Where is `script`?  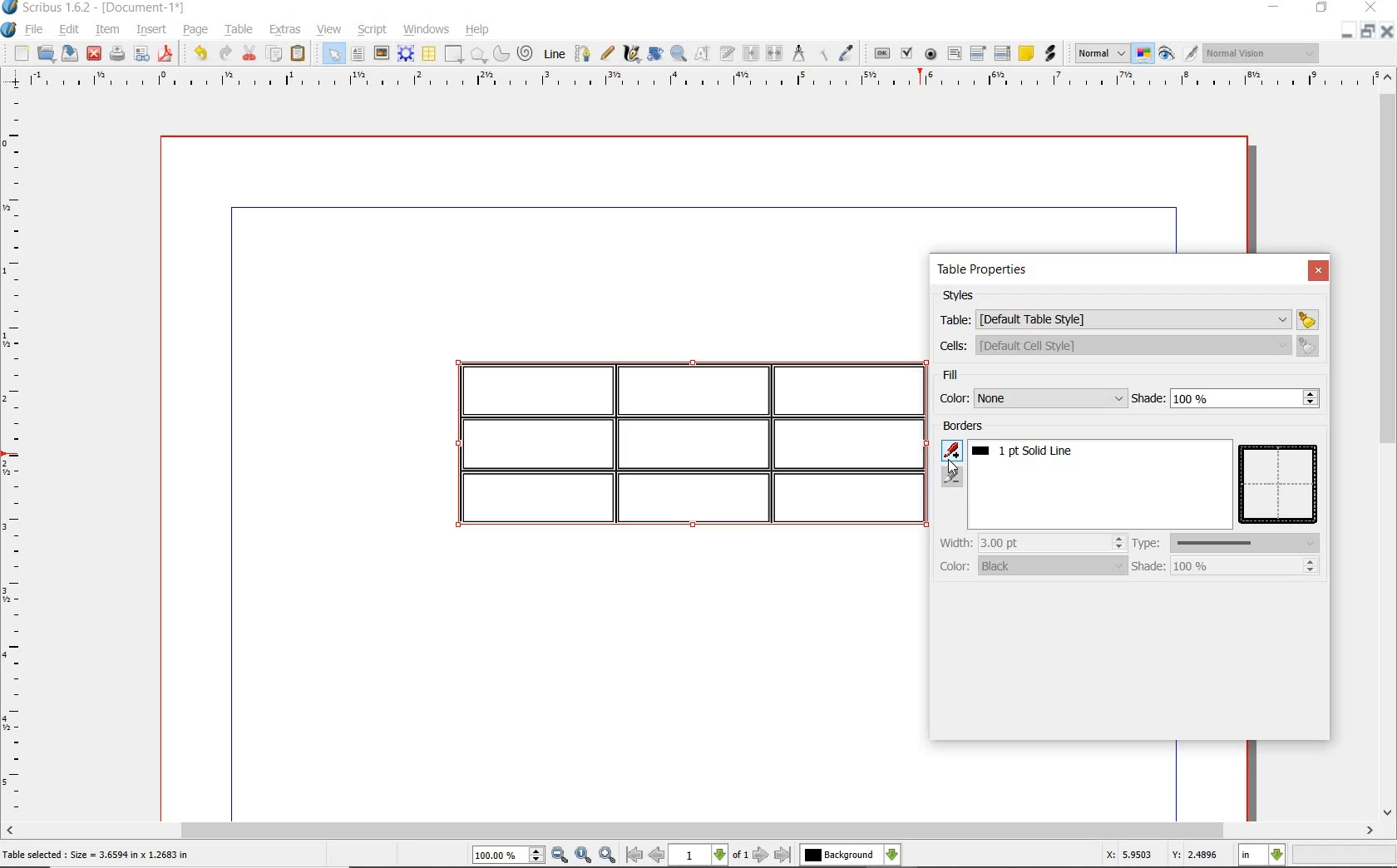
script is located at coordinates (373, 31).